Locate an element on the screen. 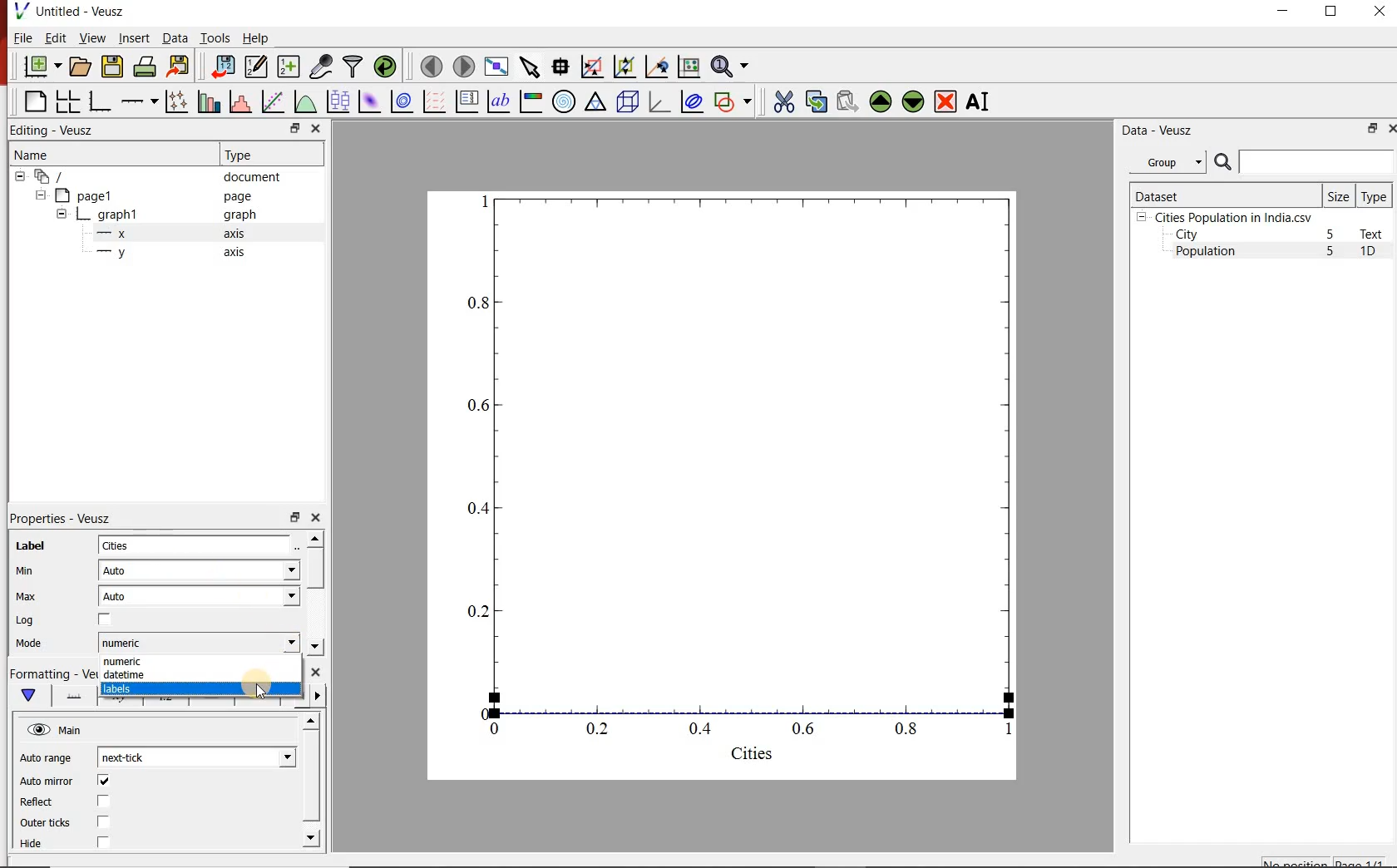  Auto is located at coordinates (200, 570).